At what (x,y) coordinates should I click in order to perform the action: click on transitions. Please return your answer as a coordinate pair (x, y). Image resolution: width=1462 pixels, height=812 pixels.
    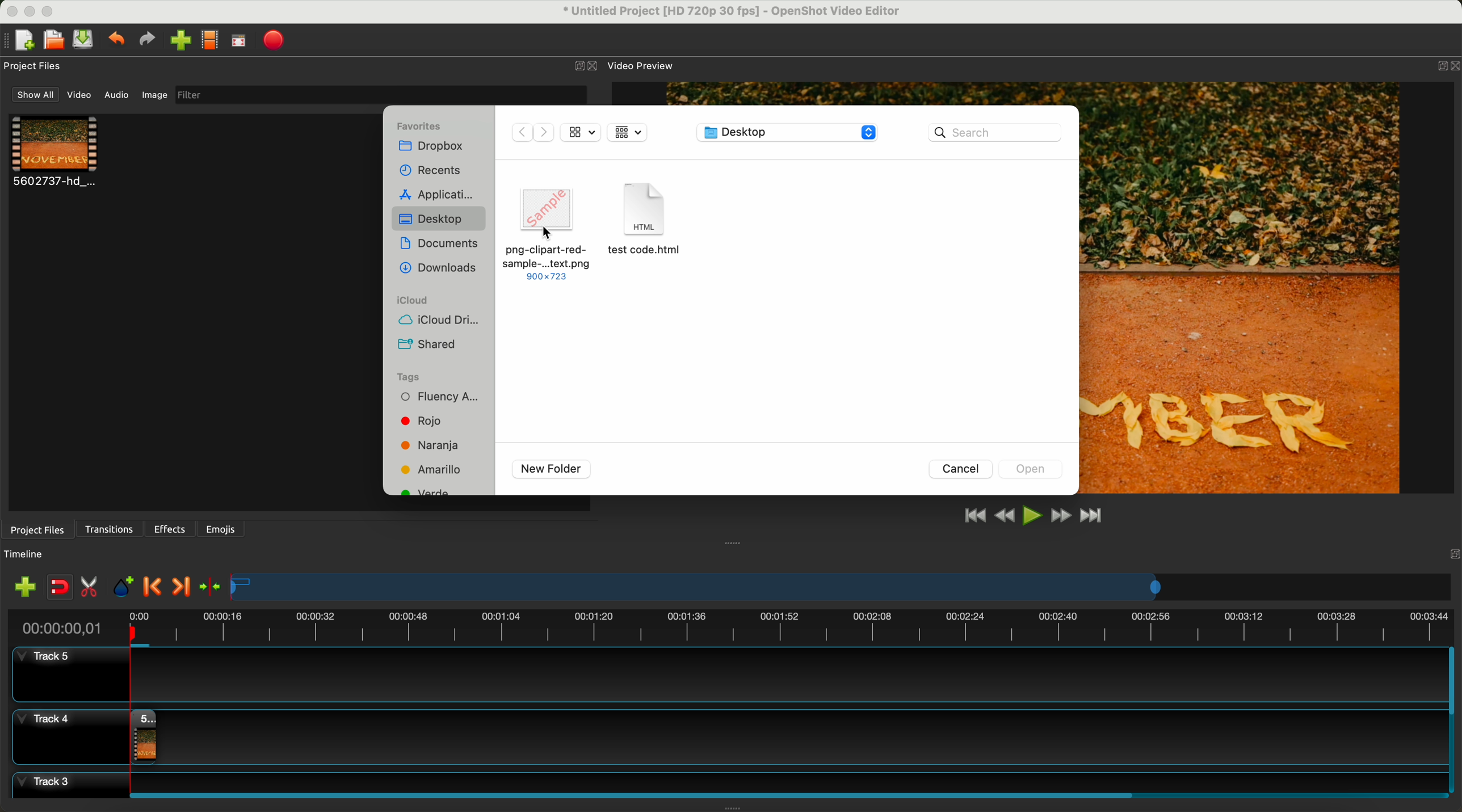
    Looking at the image, I should click on (111, 529).